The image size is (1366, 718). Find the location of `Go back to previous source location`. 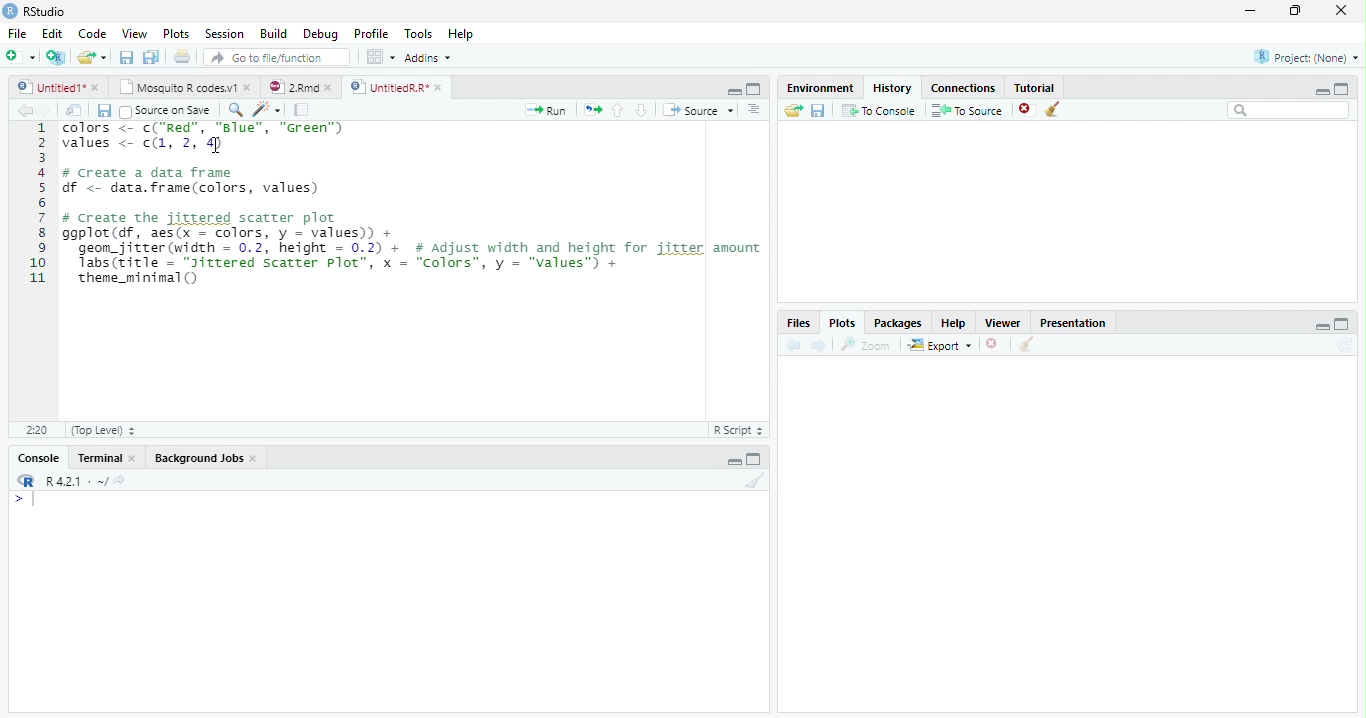

Go back to previous source location is located at coordinates (23, 111).